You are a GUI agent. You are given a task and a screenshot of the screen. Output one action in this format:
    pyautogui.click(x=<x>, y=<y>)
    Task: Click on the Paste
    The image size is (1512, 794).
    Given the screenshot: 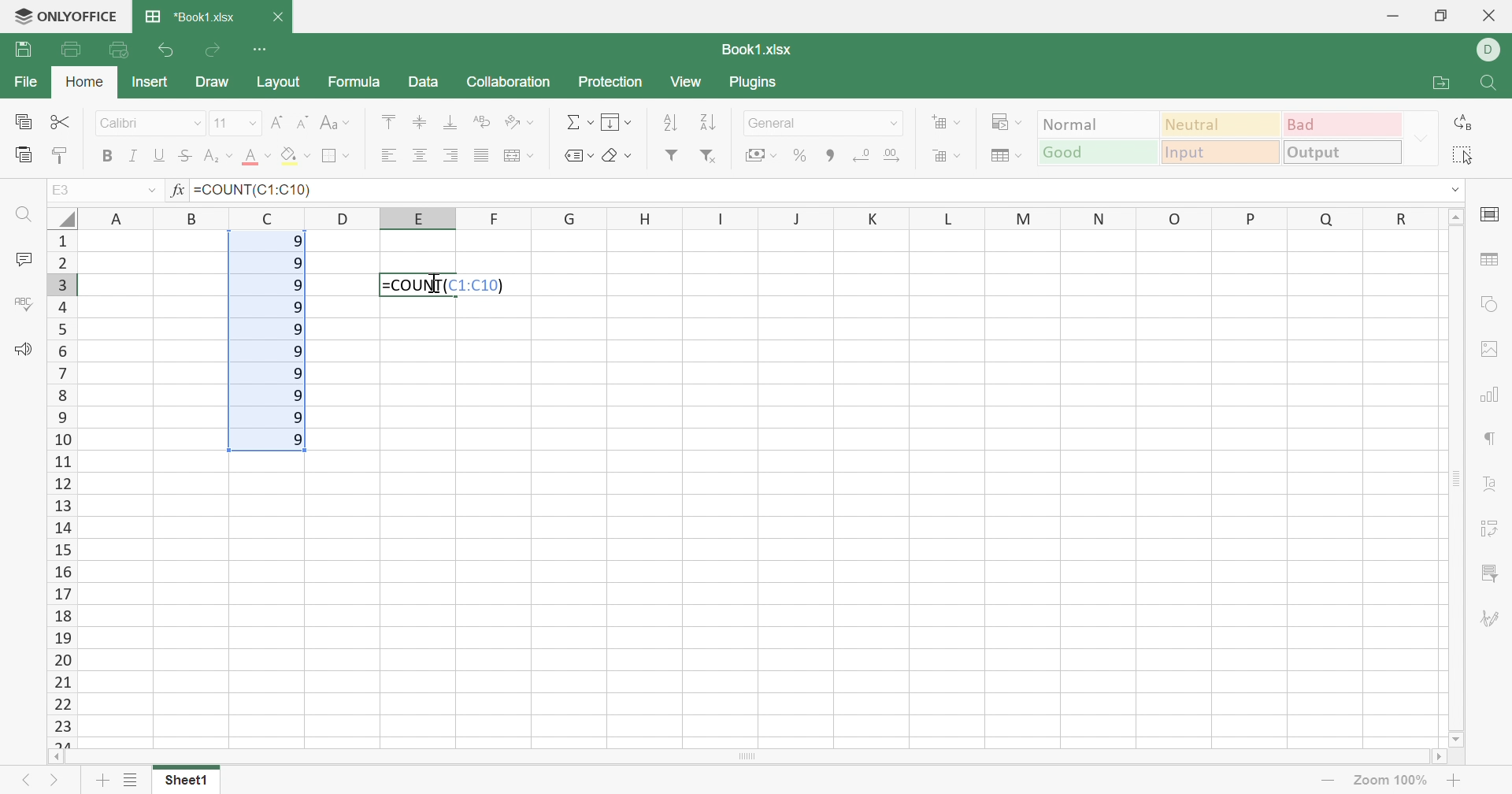 What is the action you would take?
    pyautogui.click(x=23, y=155)
    